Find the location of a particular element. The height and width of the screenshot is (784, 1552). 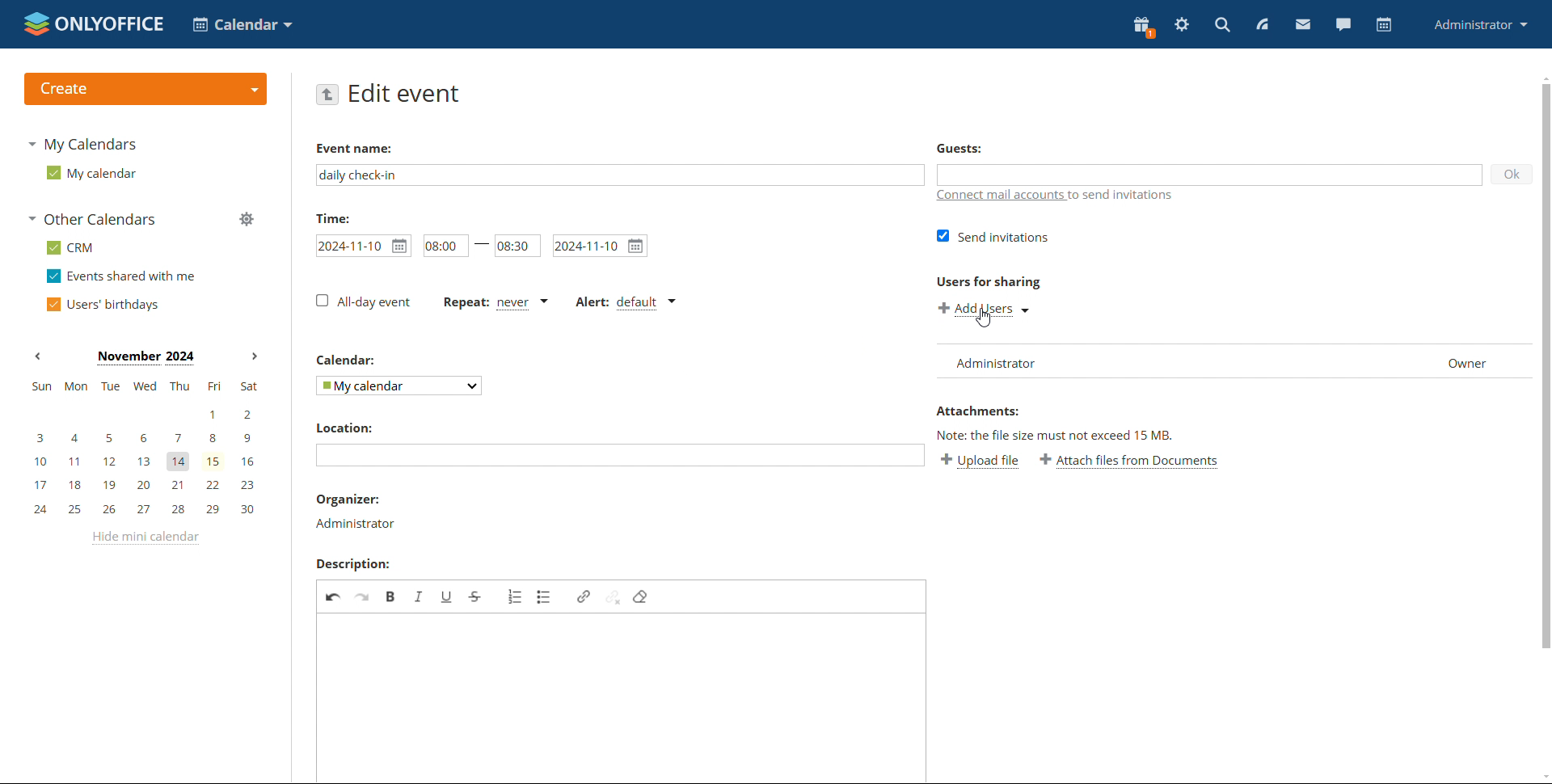

list of users is located at coordinates (1235, 362).